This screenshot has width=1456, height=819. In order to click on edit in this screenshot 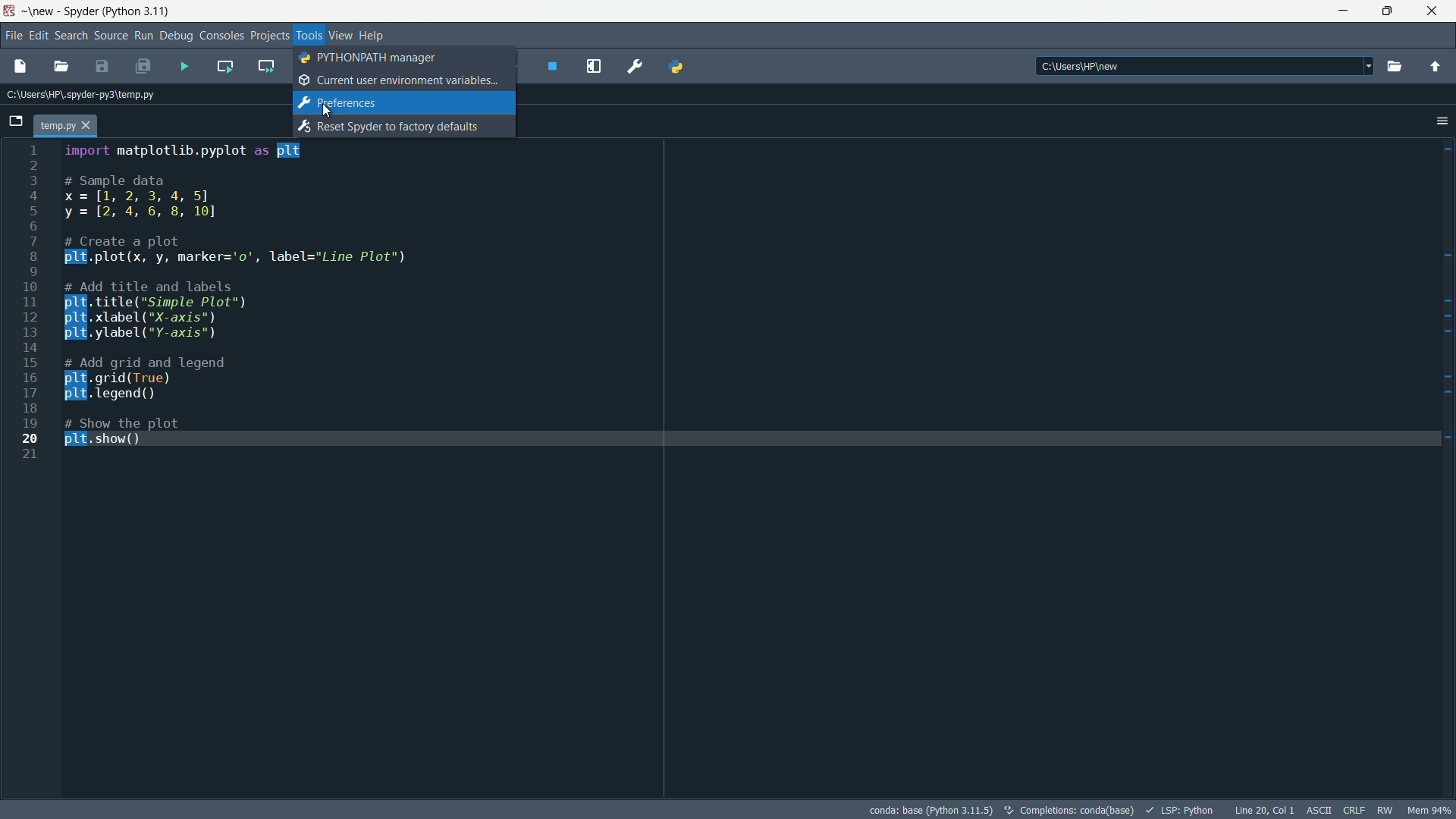, I will do `click(38, 35)`.